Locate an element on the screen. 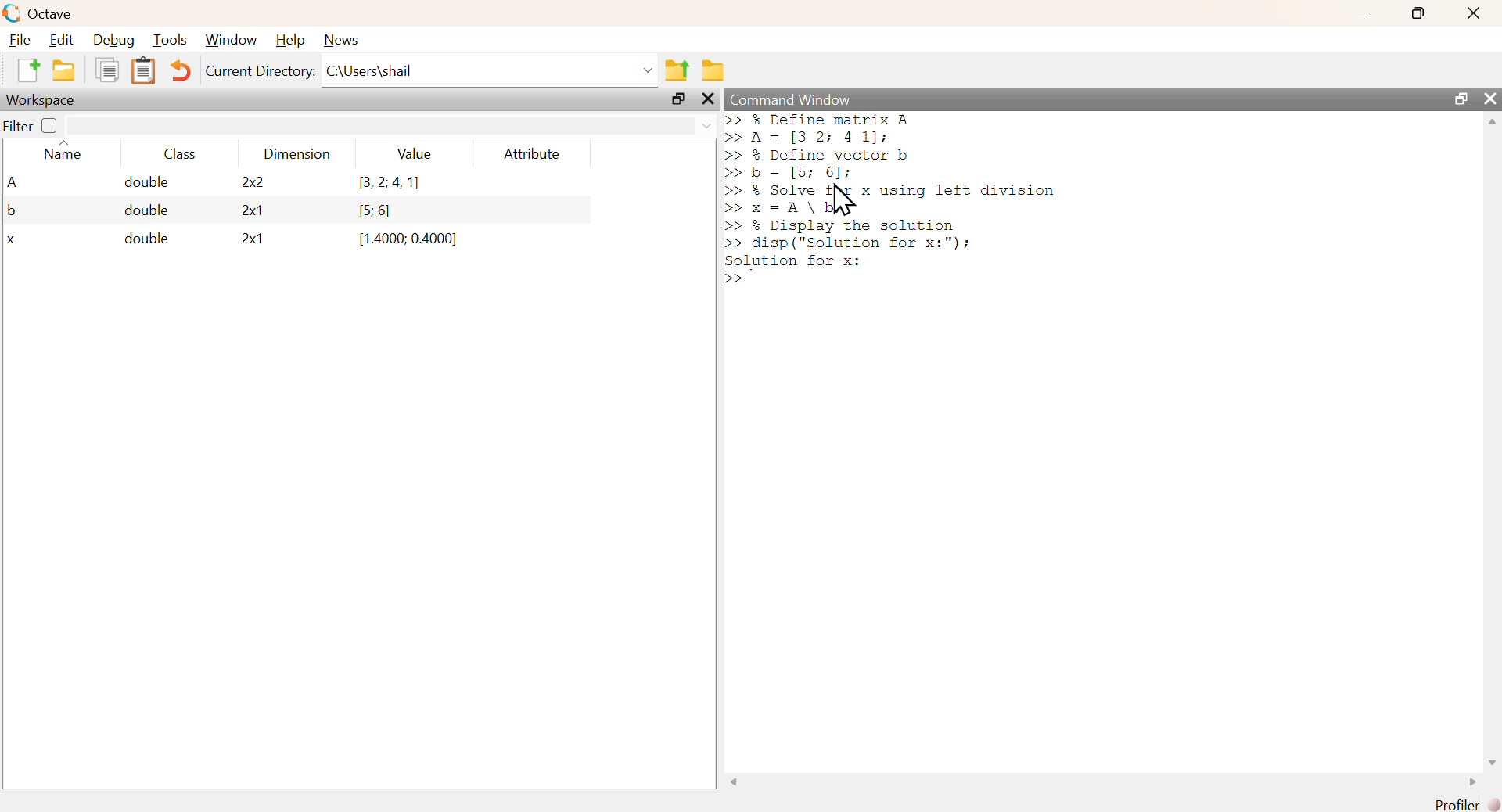 The height and width of the screenshot is (812, 1502). maximize is located at coordinates (1459, 99).